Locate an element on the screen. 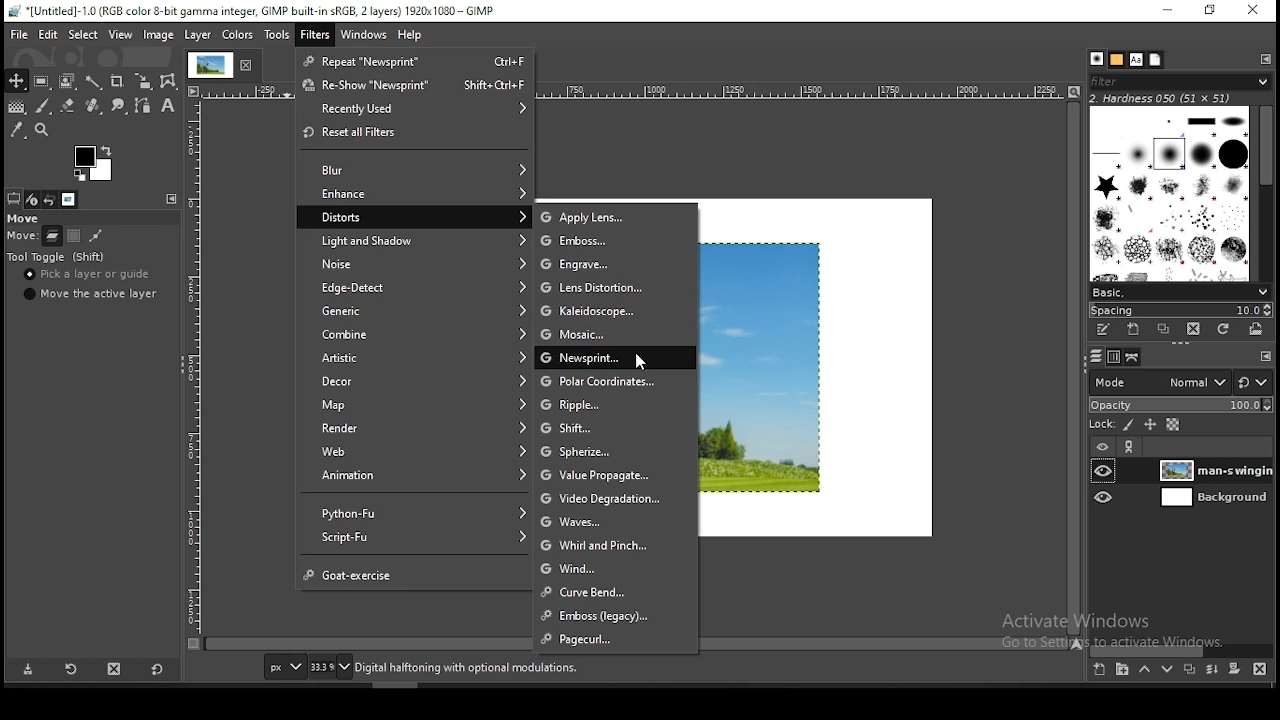 Image resolution: width=1280 pixels, height=720 pixels. shift is located at coordinates (613, 428).